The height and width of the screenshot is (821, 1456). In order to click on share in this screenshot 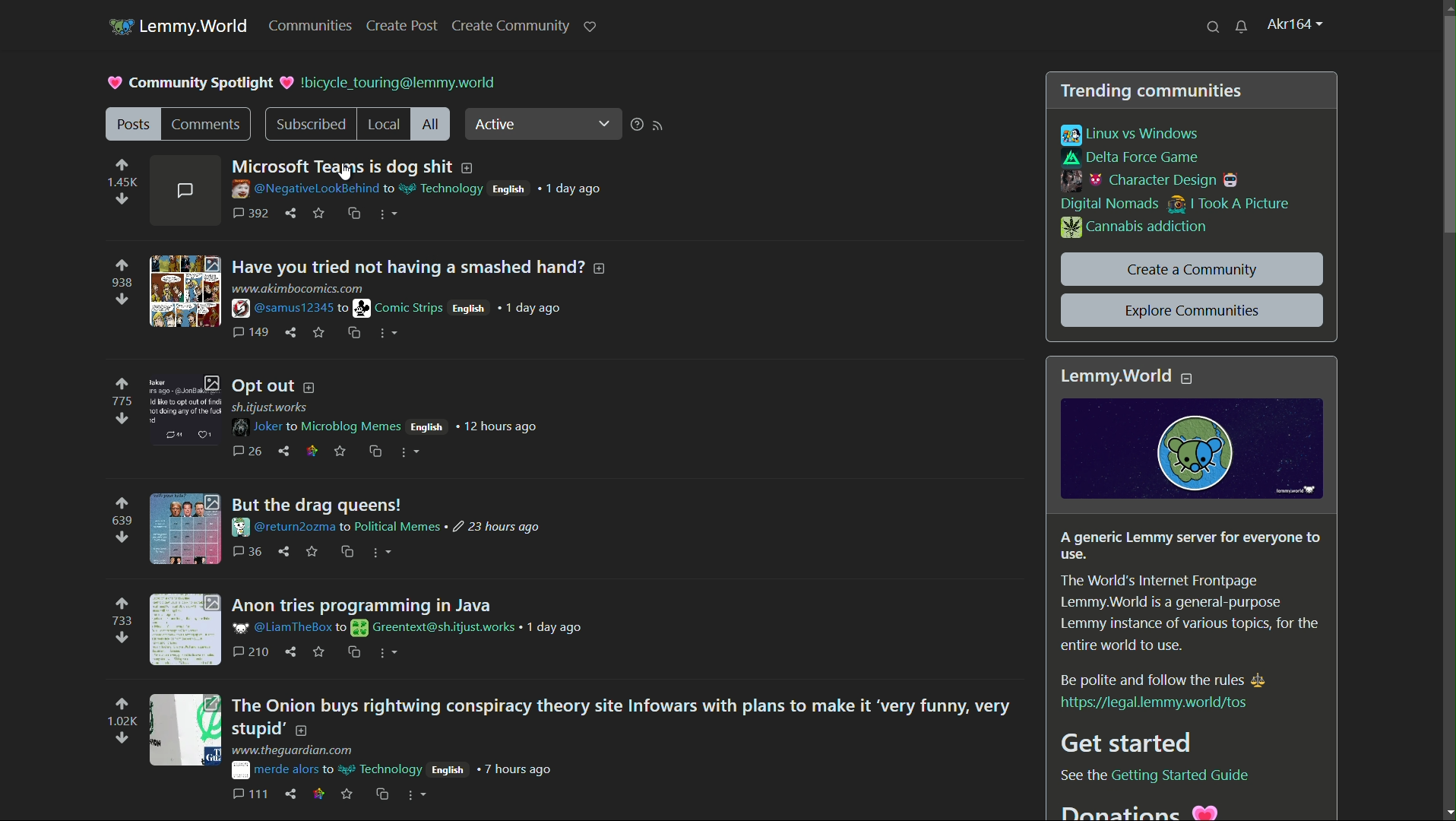, I will do `click(293, 212)`.